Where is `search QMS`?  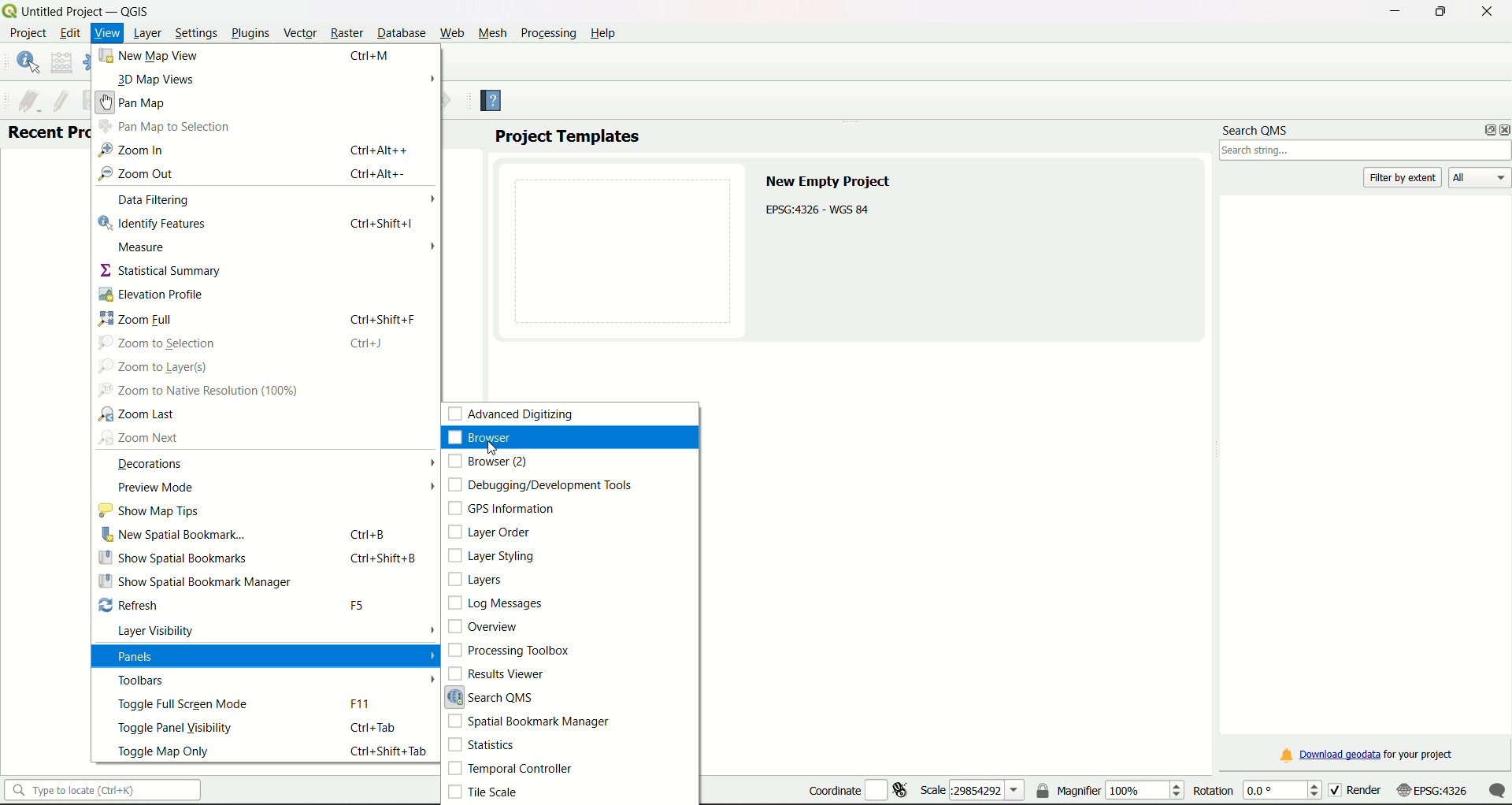 search QMS is located at coordinates (1255, 128).